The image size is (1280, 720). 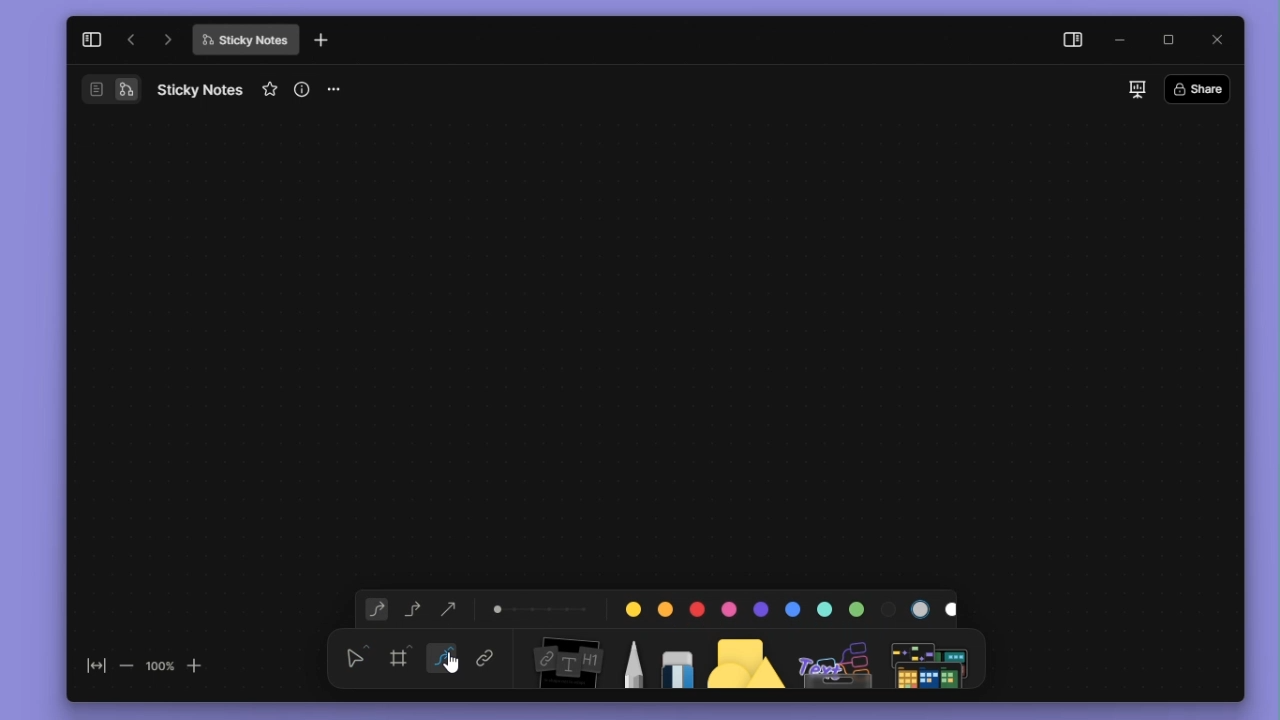 I want to click on file name, so click(x=200, y=89).